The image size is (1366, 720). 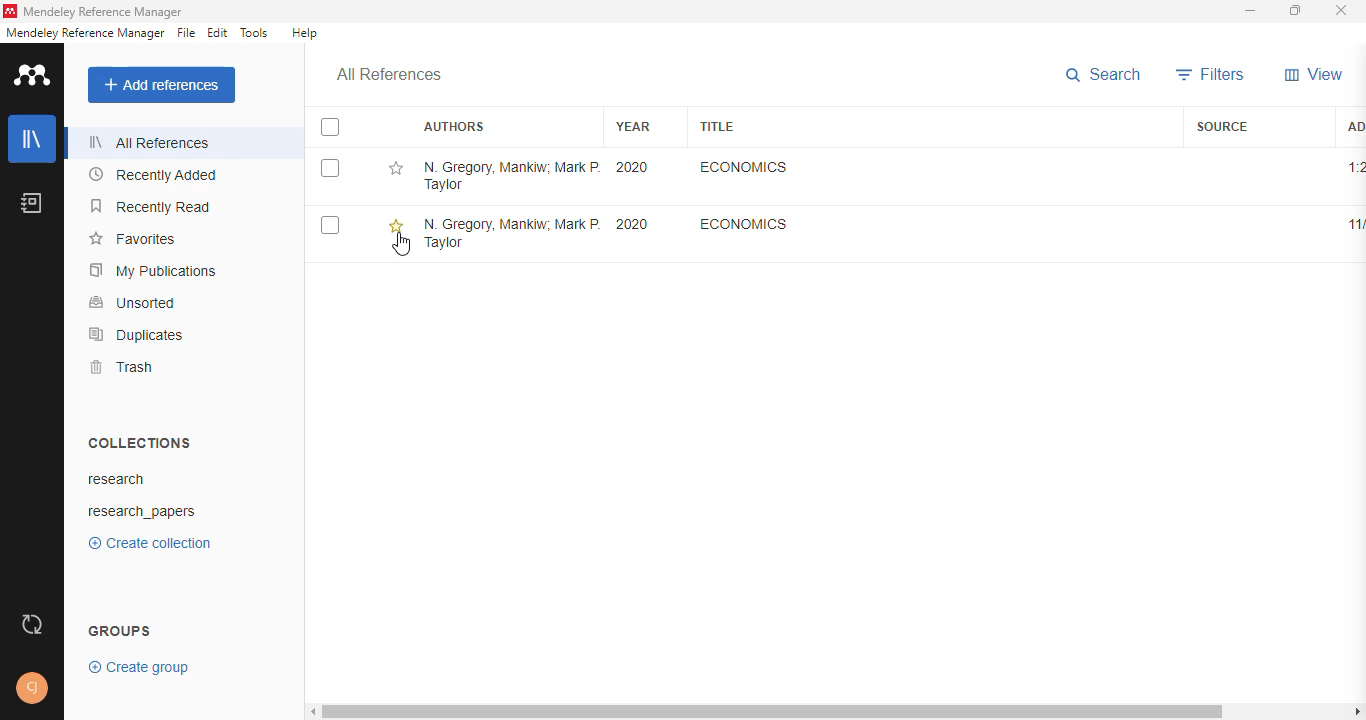 What do you see at coordinates (116, 479) in the screenshot?
I see `research` at bounding box center [116, 479].